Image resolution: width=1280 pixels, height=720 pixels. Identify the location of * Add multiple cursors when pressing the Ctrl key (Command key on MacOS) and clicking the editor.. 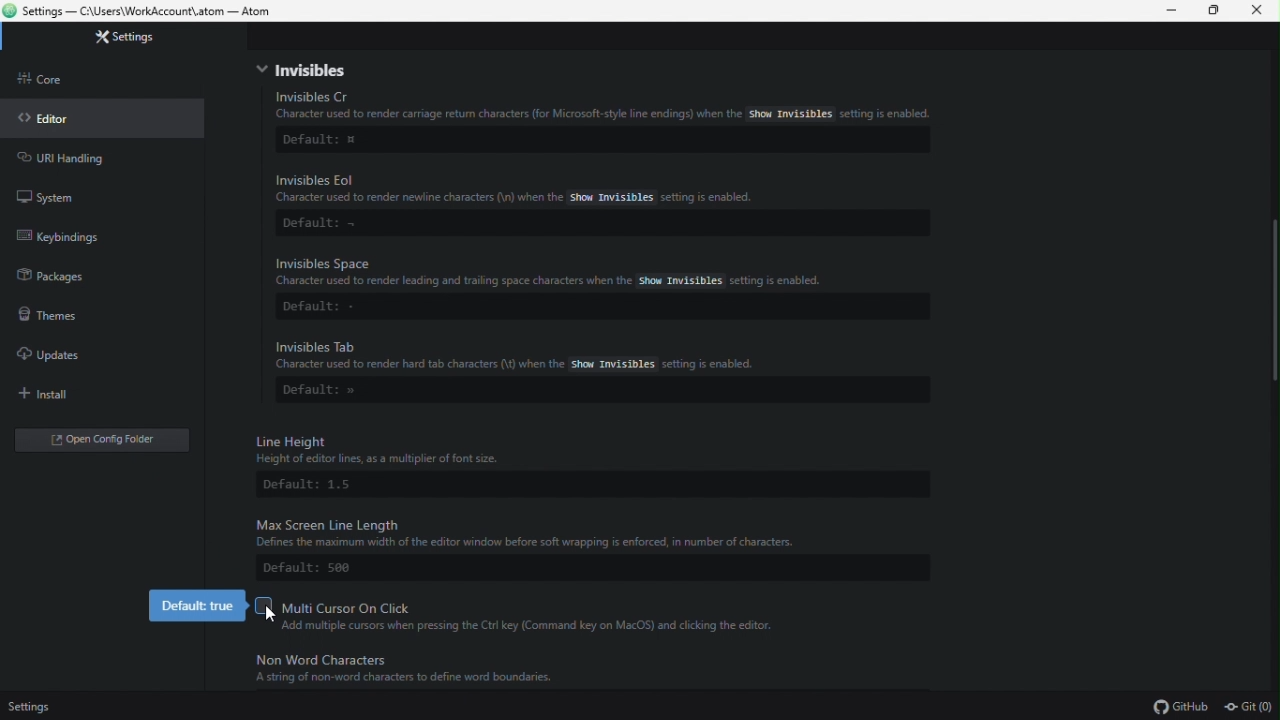
(528, 626).